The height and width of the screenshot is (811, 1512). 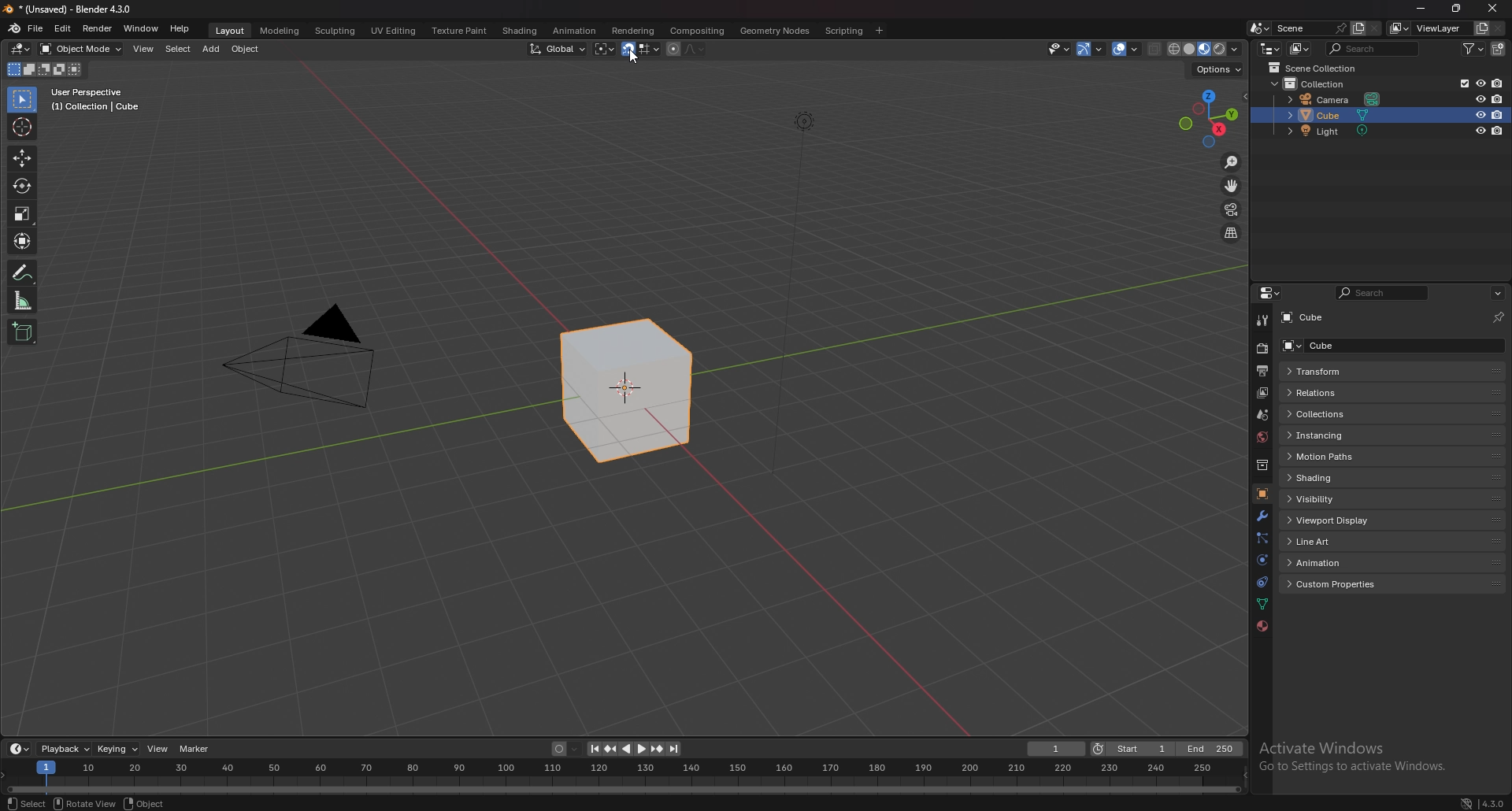 What do you see at coordinates (673, 50) in the screenshot?
I see `proportional editing objects` at bounding box center [673, 50].